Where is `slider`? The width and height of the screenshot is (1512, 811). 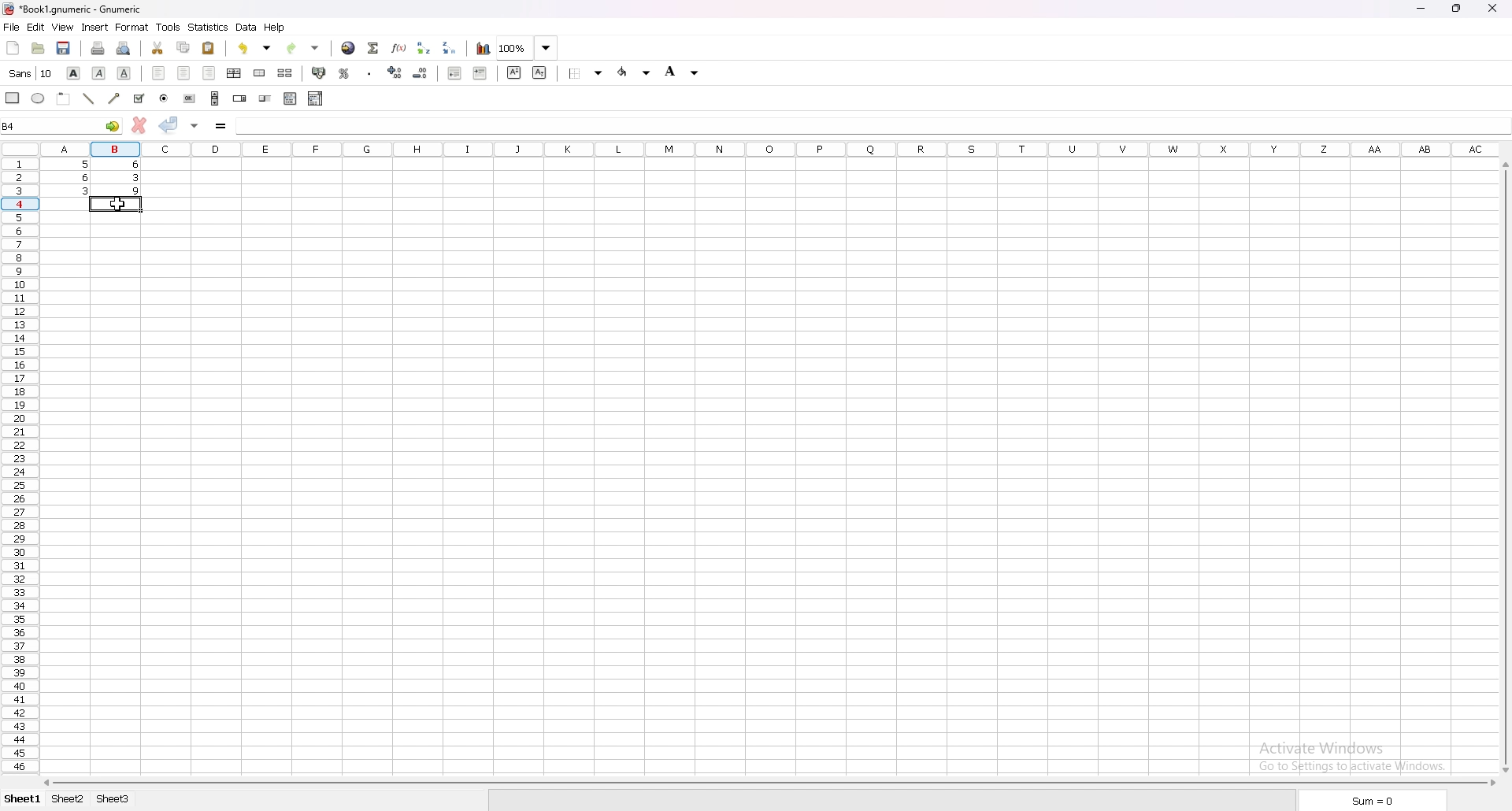
slider is located at coordinates (265, 98).